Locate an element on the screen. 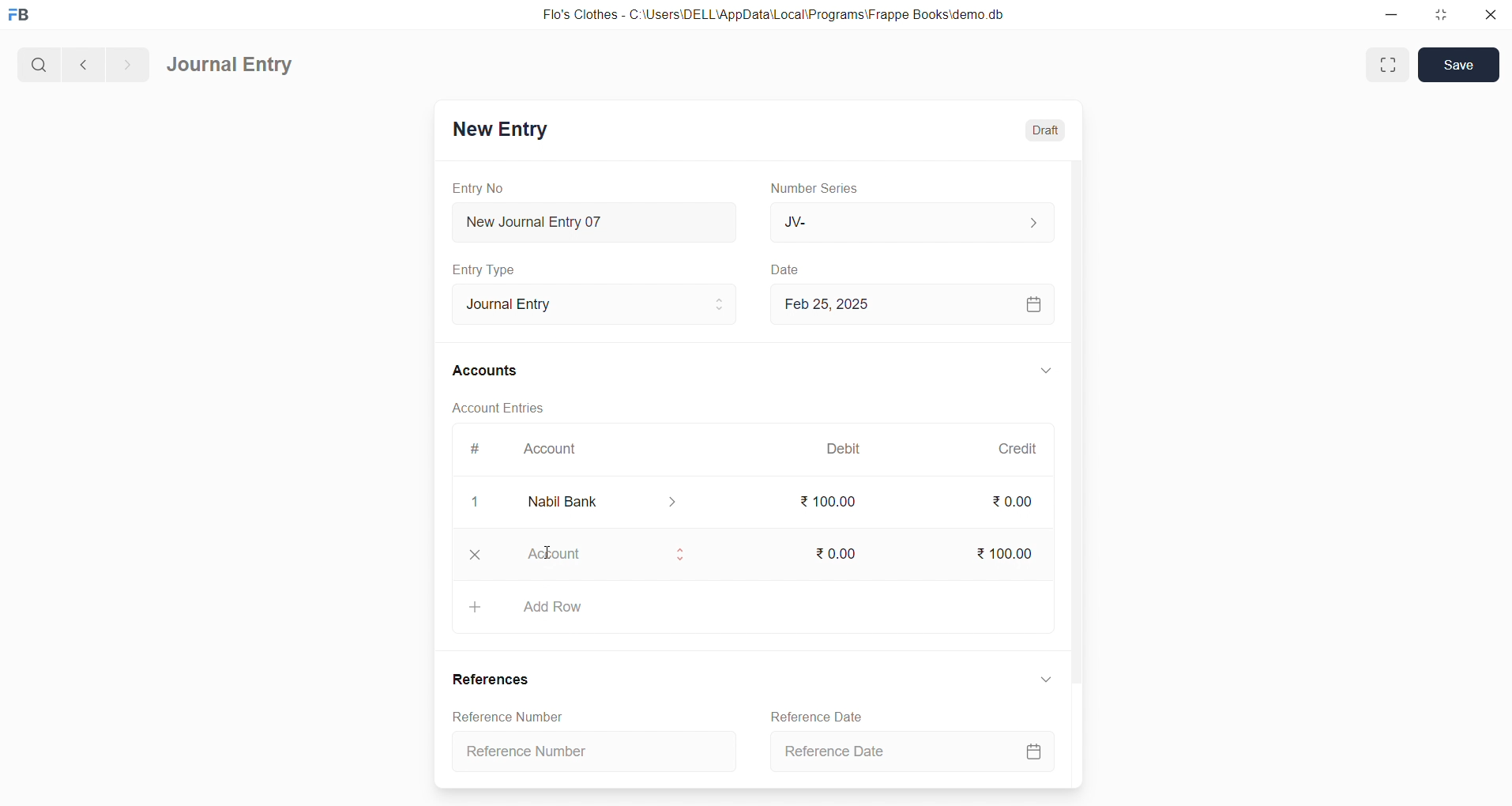 This screenshot has height=806, width=1512. Journal Entry is located at coordinates (589, 304).